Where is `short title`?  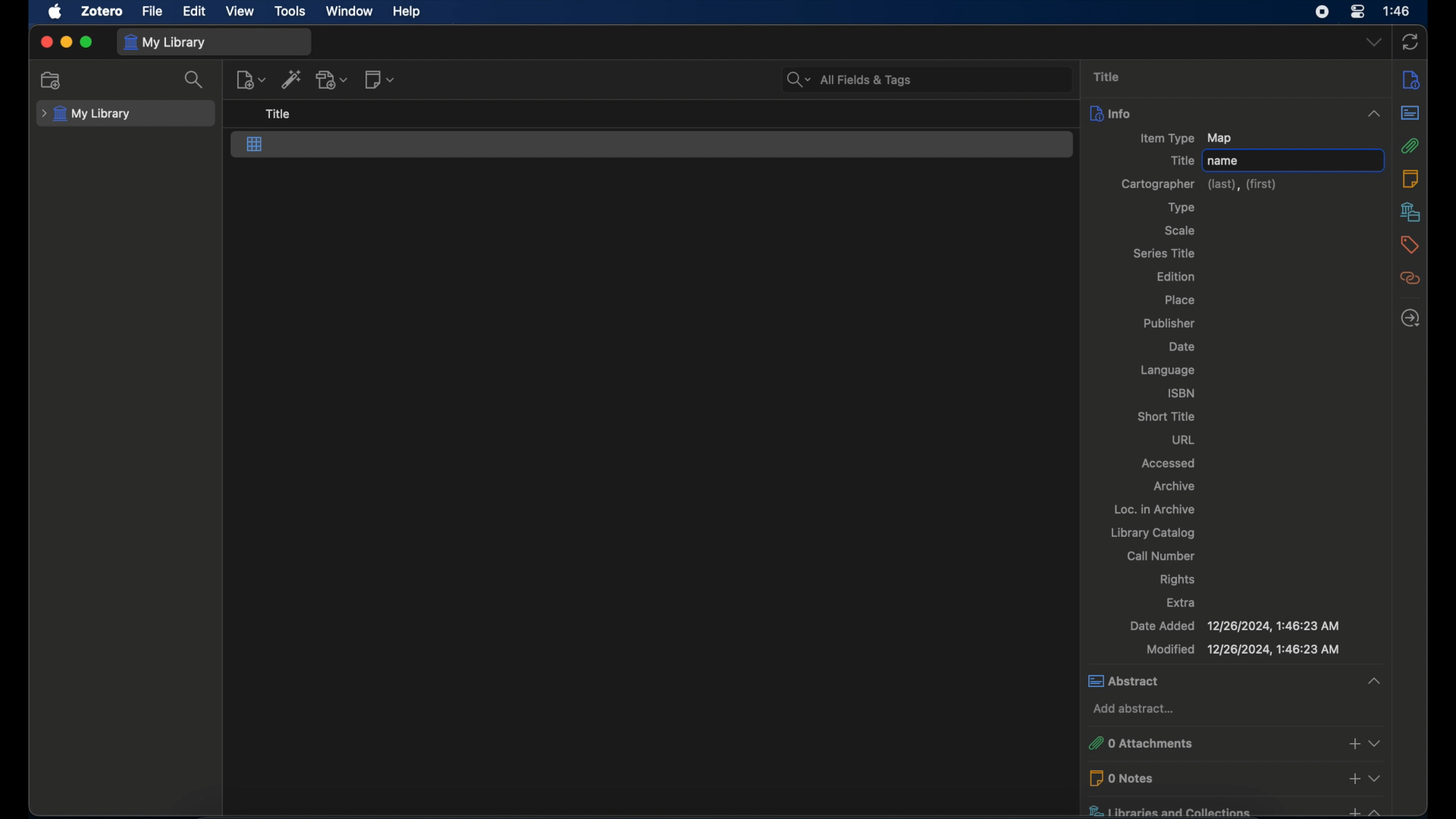
short title is located at coordinates (1169, 417).